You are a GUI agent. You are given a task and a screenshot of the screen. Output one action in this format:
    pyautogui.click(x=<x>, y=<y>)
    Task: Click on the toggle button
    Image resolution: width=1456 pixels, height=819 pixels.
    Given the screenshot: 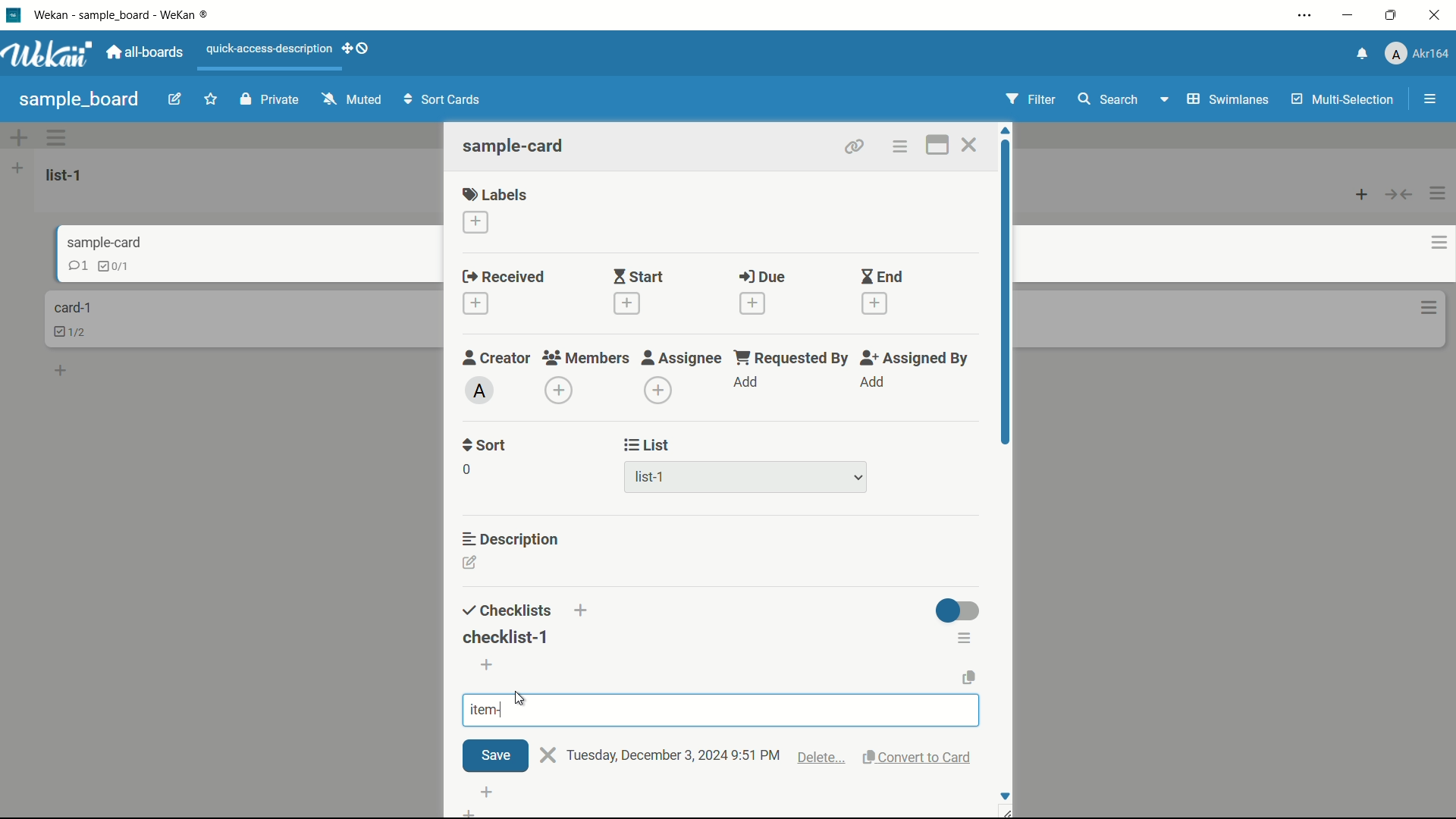 What is the action you would take?
    pyautogui.click(x=956, y=610)
    